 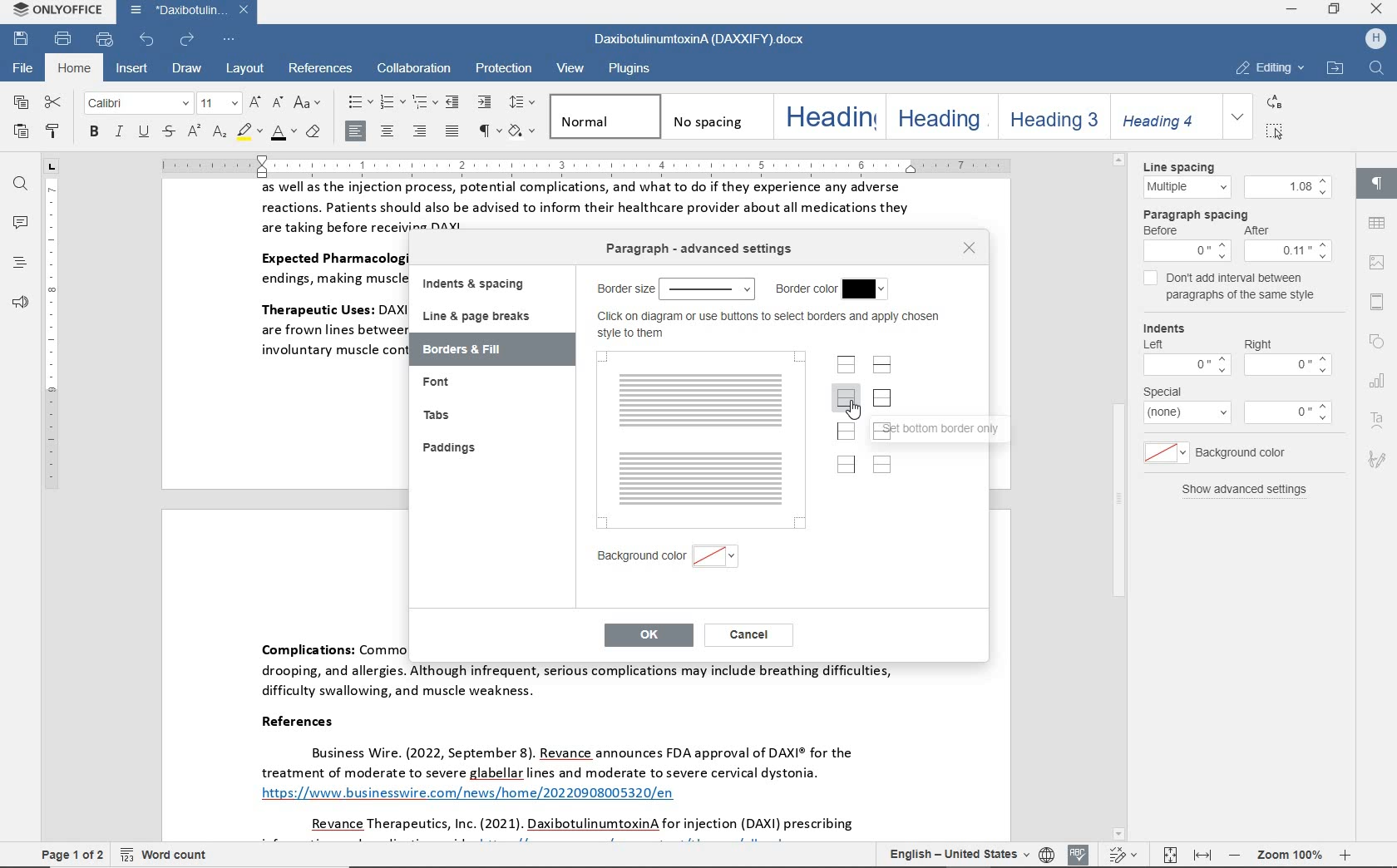 What do you see at coordinates (220, 134) in the screenshot?
I see `subscript` at bounding box center [220, 134].